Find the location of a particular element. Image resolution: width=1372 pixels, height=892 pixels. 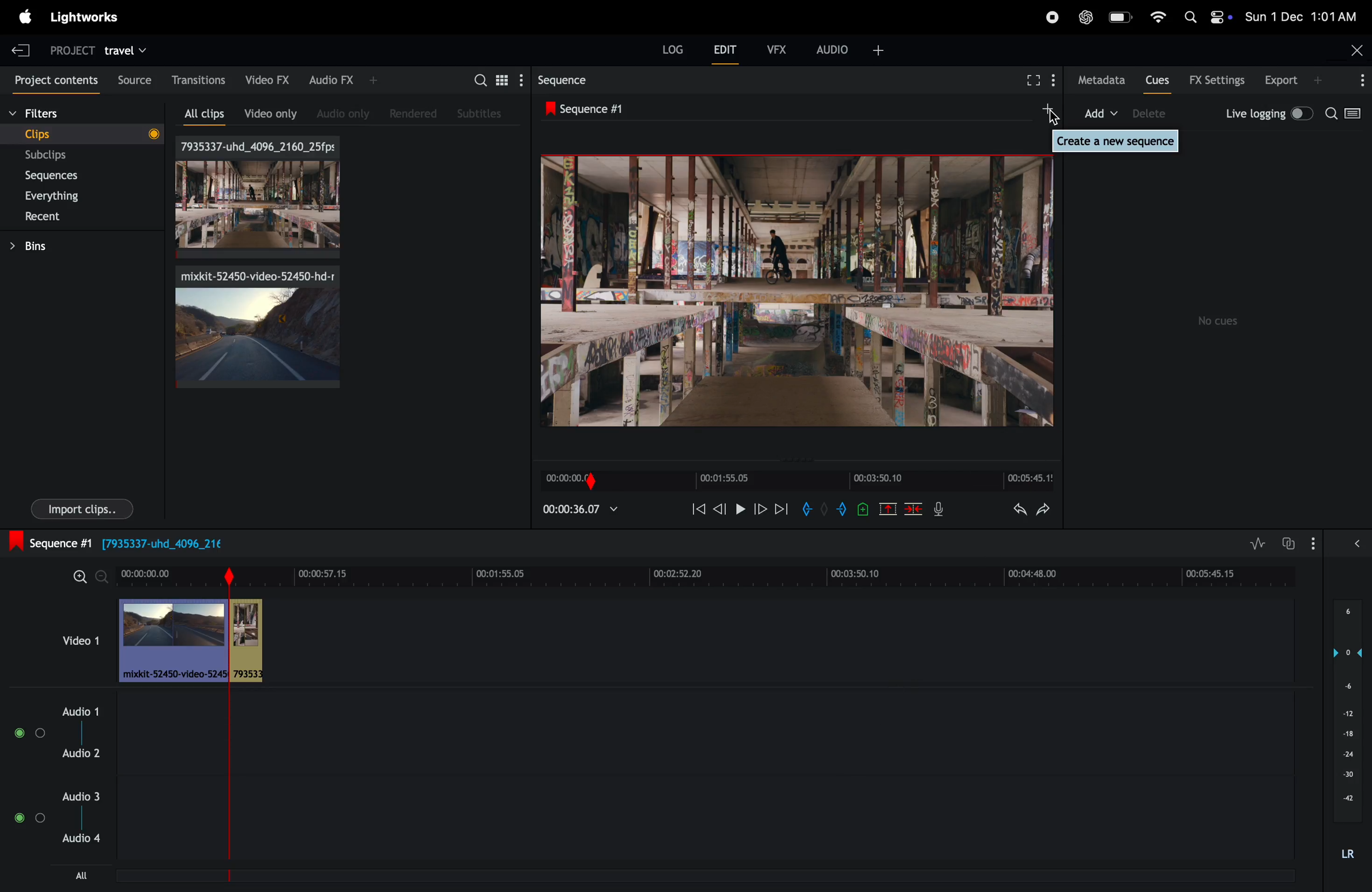

import clips is located at coordinates (82, 508).